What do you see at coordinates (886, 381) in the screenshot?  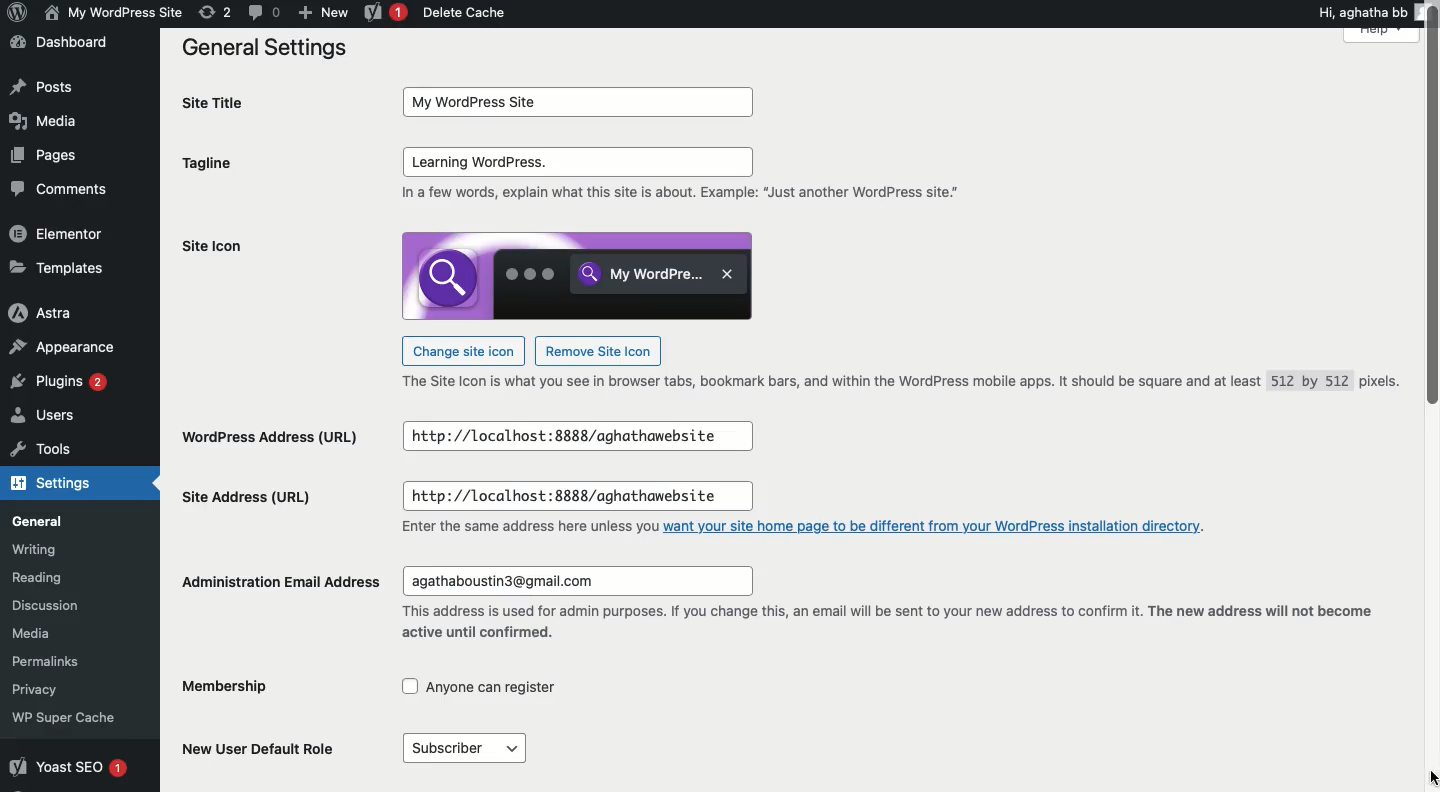 I see `The Site Icon is what you see in browser tabs, bookmark bars, and within the WordPress mobile apps. It should be square and at least 512 by 512 pixels.` at bounding box center [886, 381].